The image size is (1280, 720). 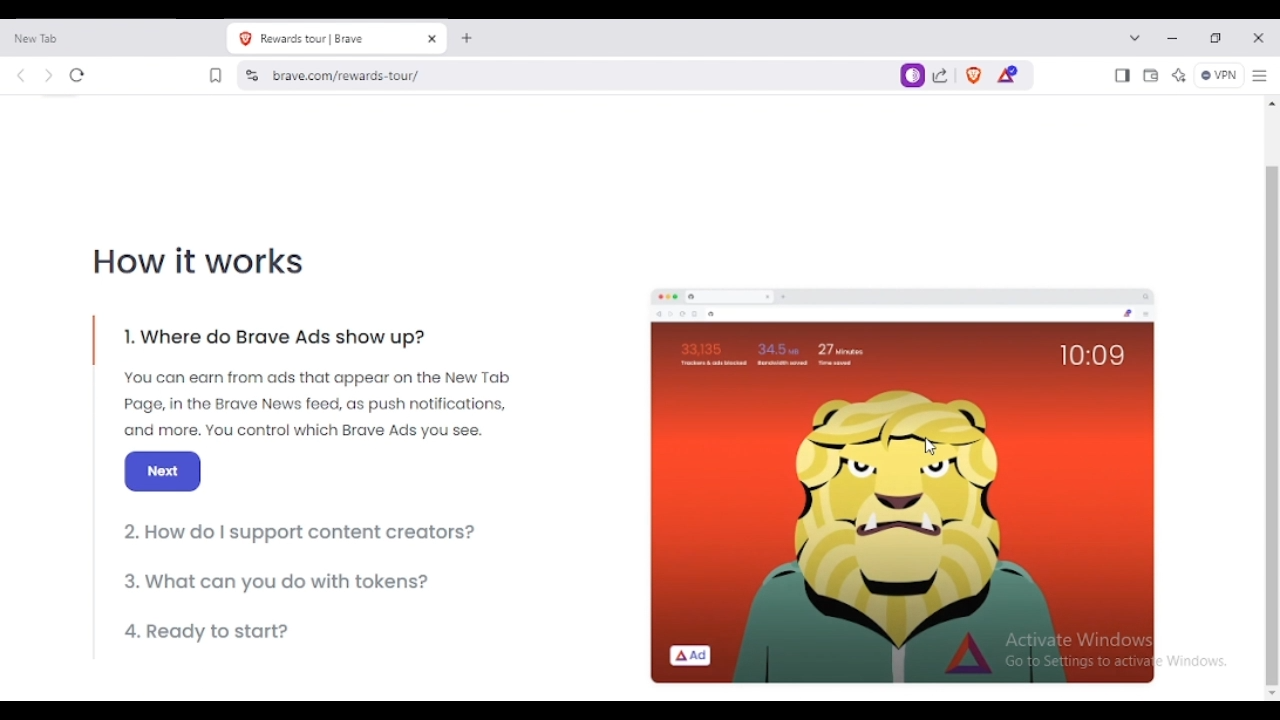 I want to click on 1. Where do Brave Ads show up?, so click(x=280, y=341).